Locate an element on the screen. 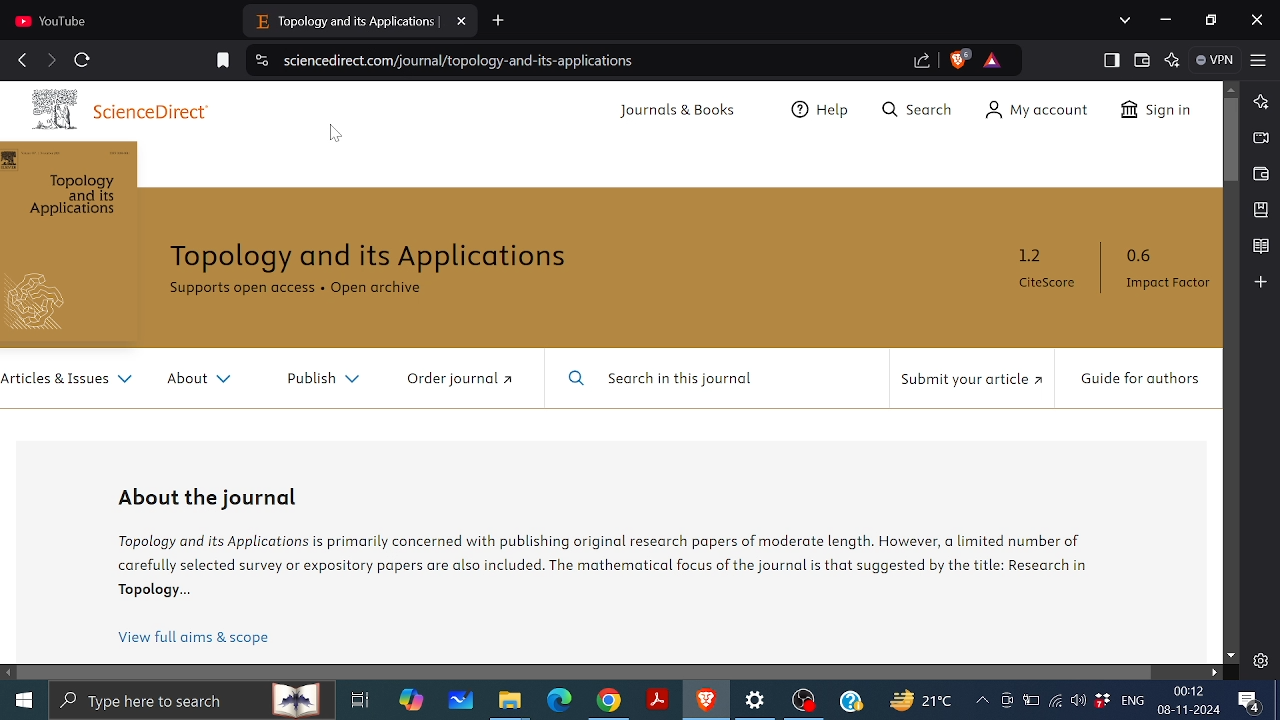 The height and width of the screenshot is (720, 1280). Settings is located at coordinates (757, 701).